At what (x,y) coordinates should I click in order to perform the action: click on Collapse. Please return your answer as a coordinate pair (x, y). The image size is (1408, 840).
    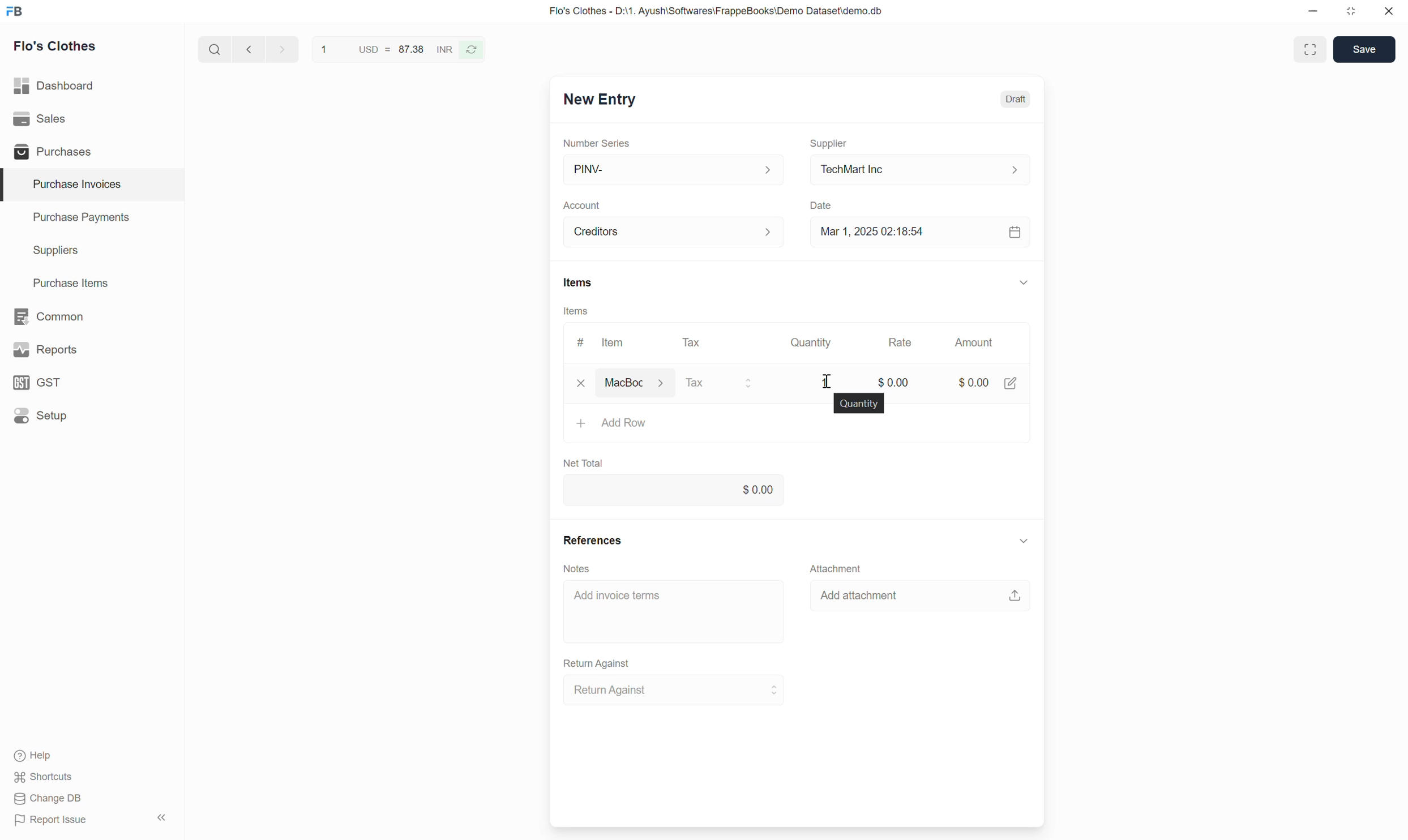
    Looking at the image, I should click on (161, 817).